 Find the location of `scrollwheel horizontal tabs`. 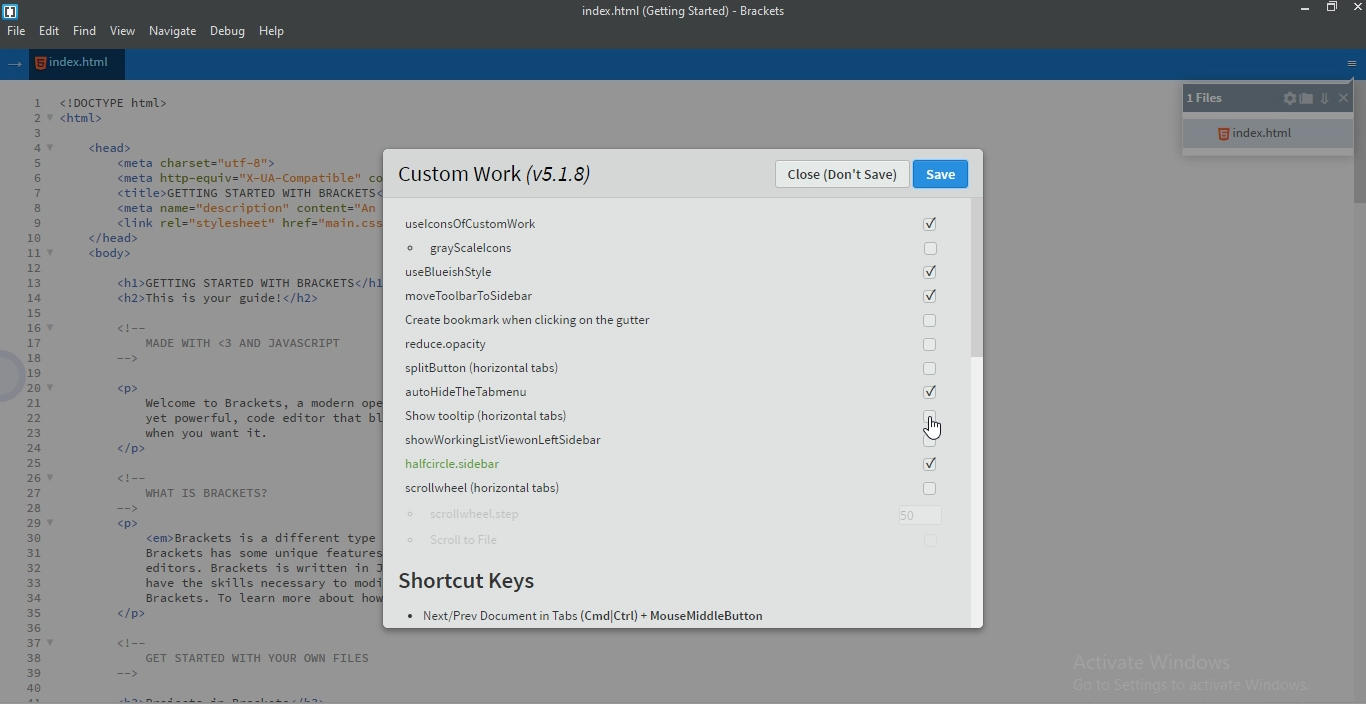

scrollwheel horizontal tabs is located at coordinates (675, 488).